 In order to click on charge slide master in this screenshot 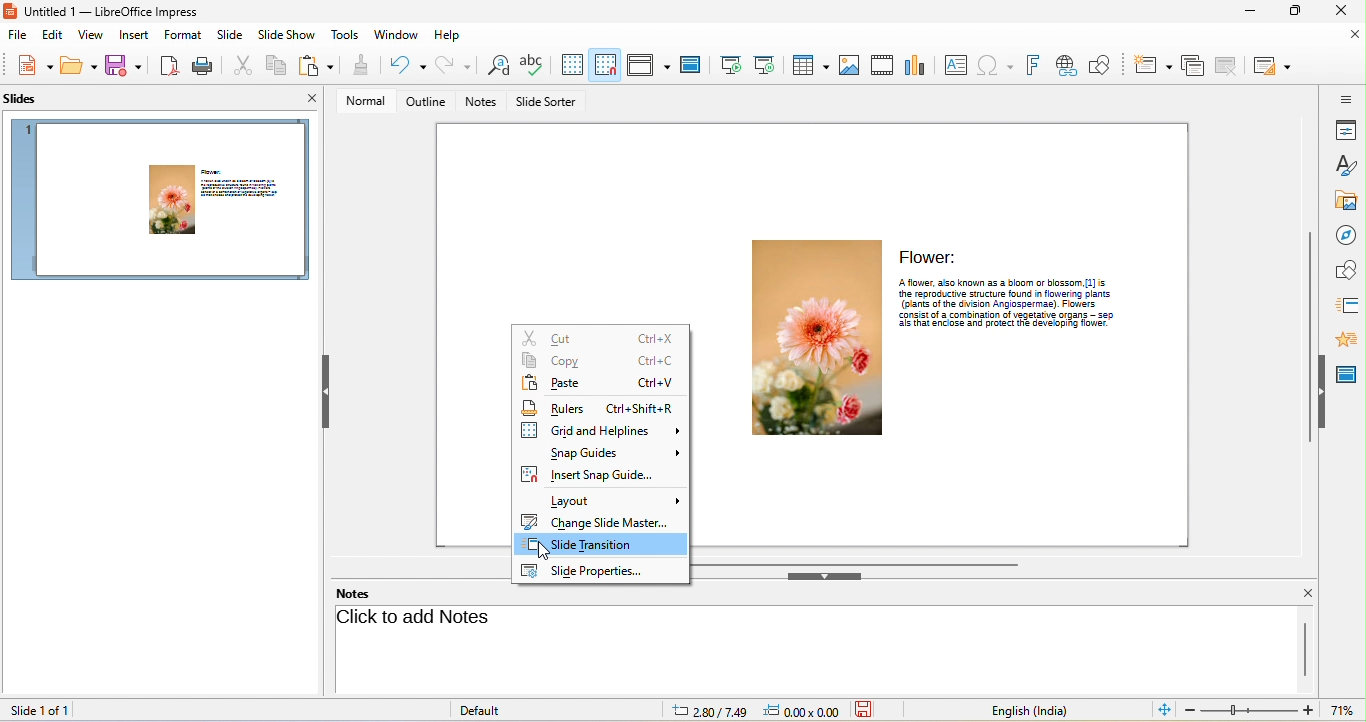, I will do `click(599, 521)`.